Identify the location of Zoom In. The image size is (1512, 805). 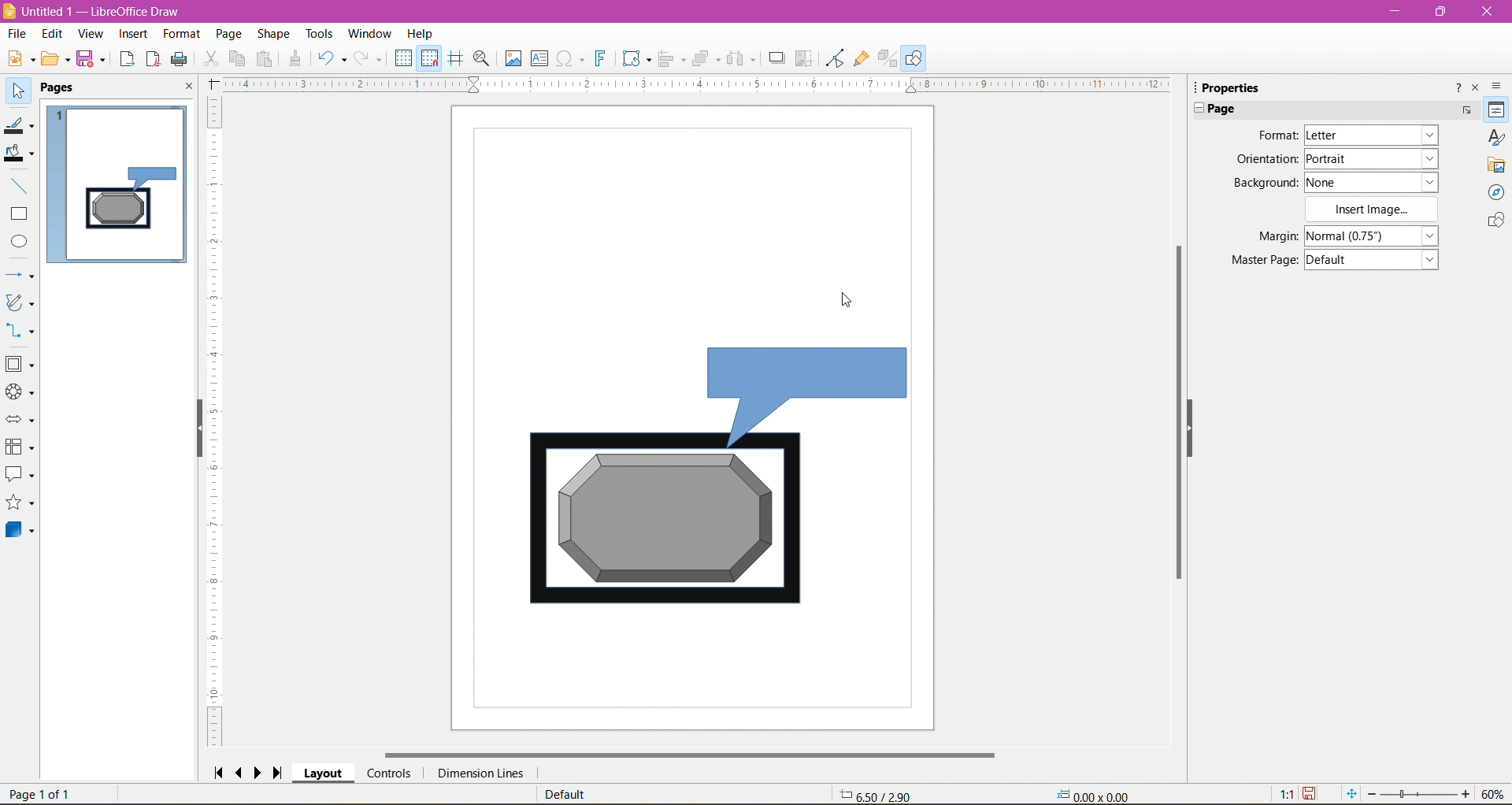
(1467, 795).